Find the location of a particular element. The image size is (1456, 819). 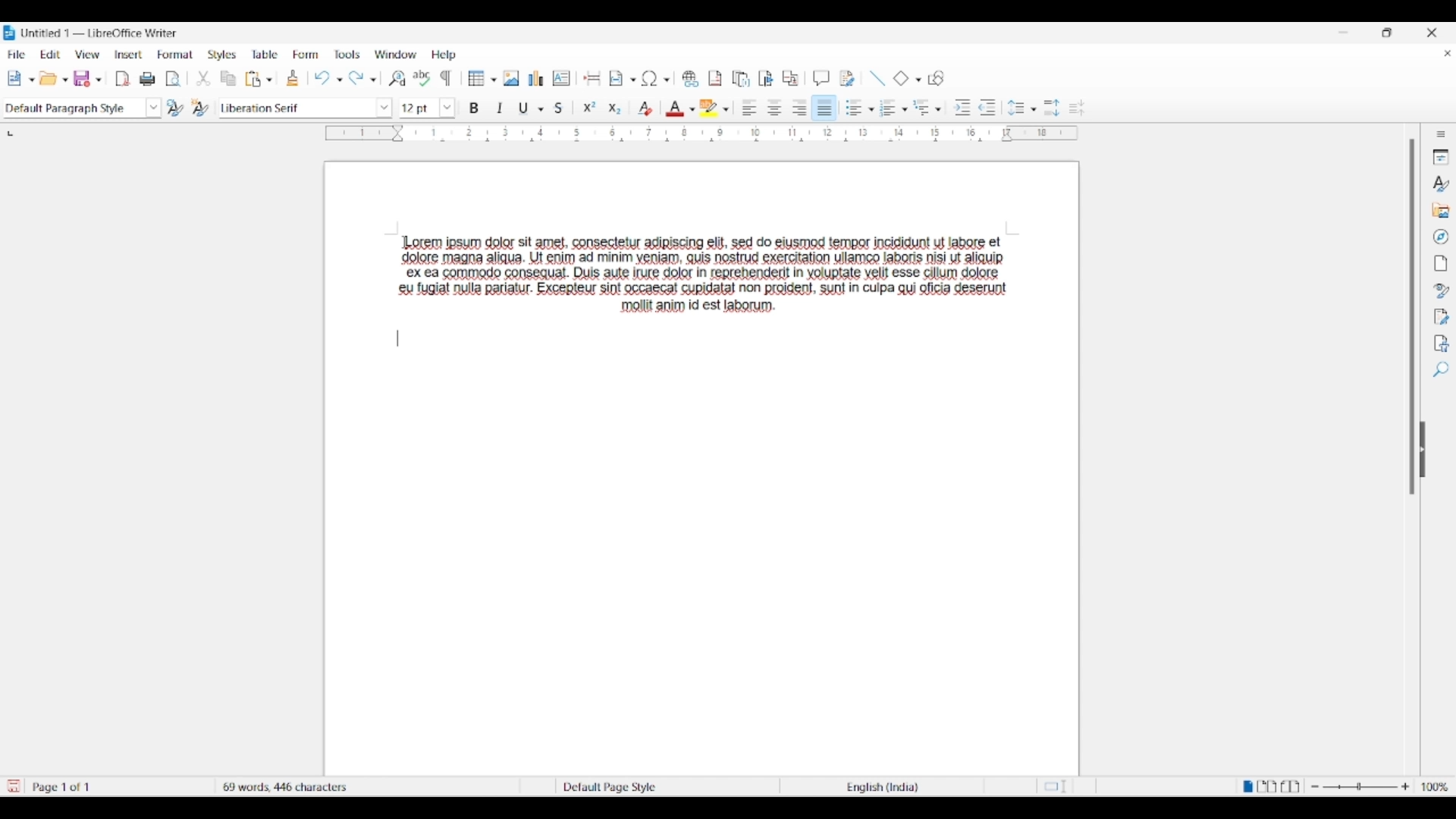

Toggle unordered list options is located at coordinates (868, 109).